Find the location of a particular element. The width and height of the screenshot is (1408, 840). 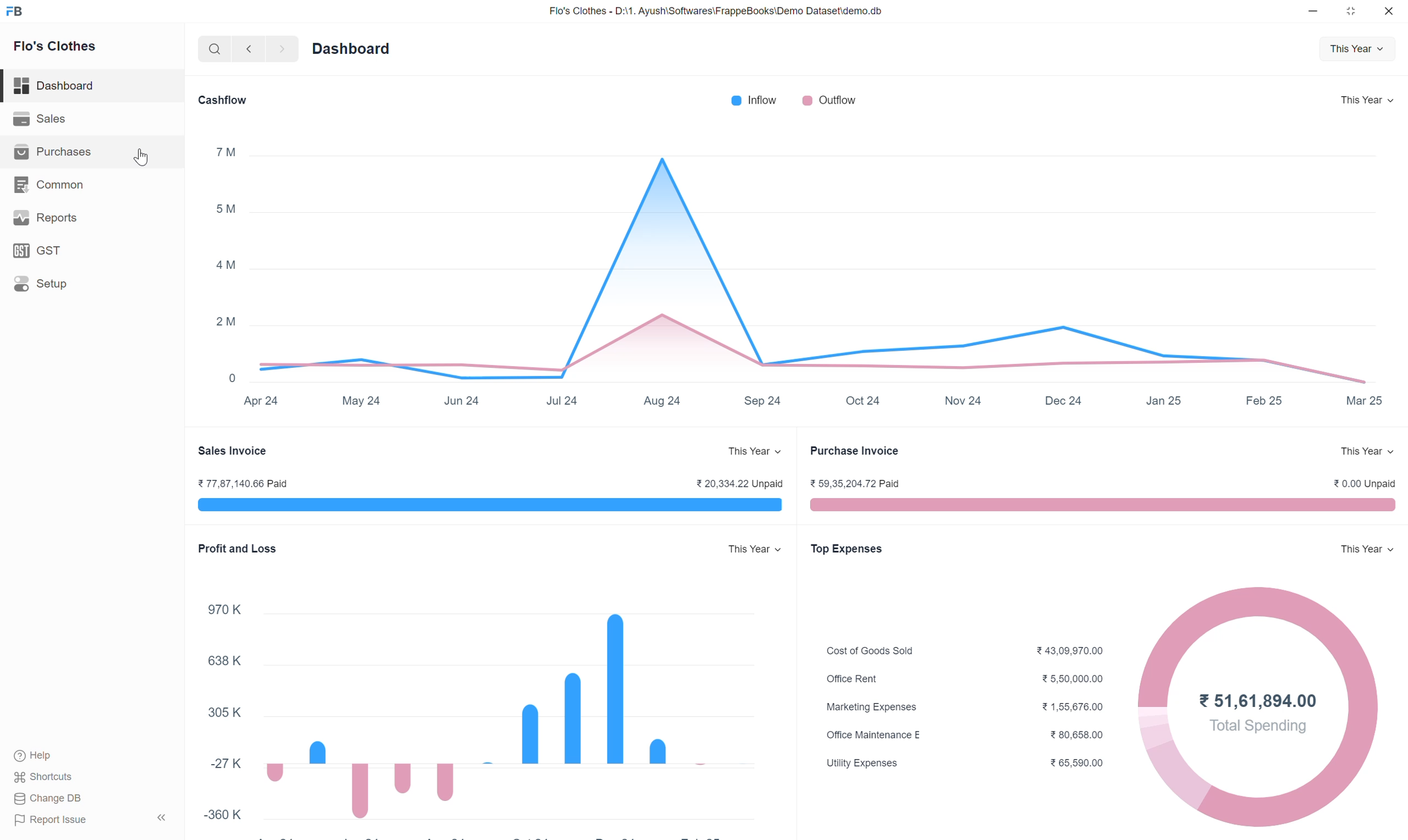

Setup  is located at coordinates (41, 284).